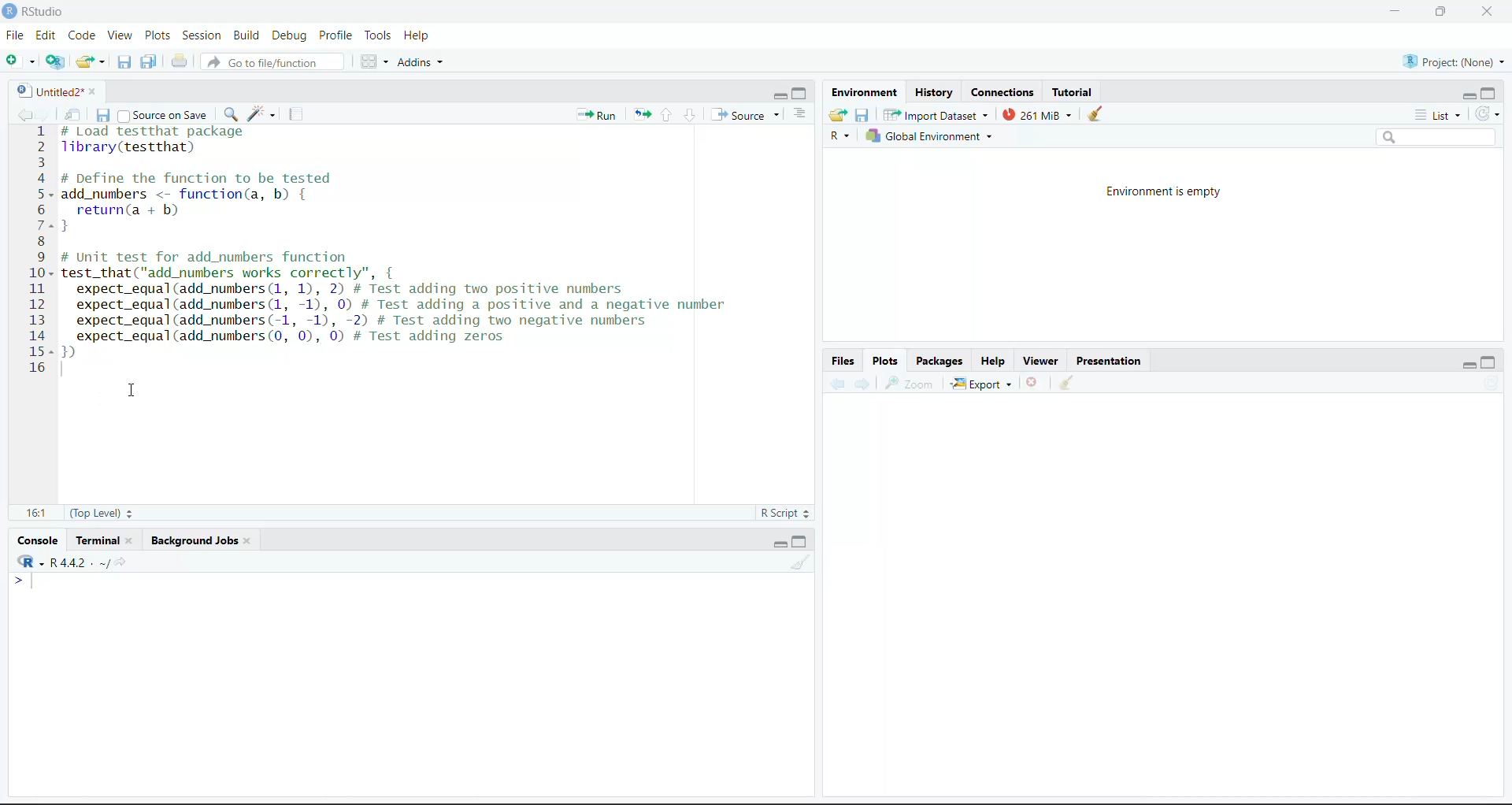  Describe the element at coordinates (639, 113) in the screenshot. I see `Re-run the previous code` at that location.